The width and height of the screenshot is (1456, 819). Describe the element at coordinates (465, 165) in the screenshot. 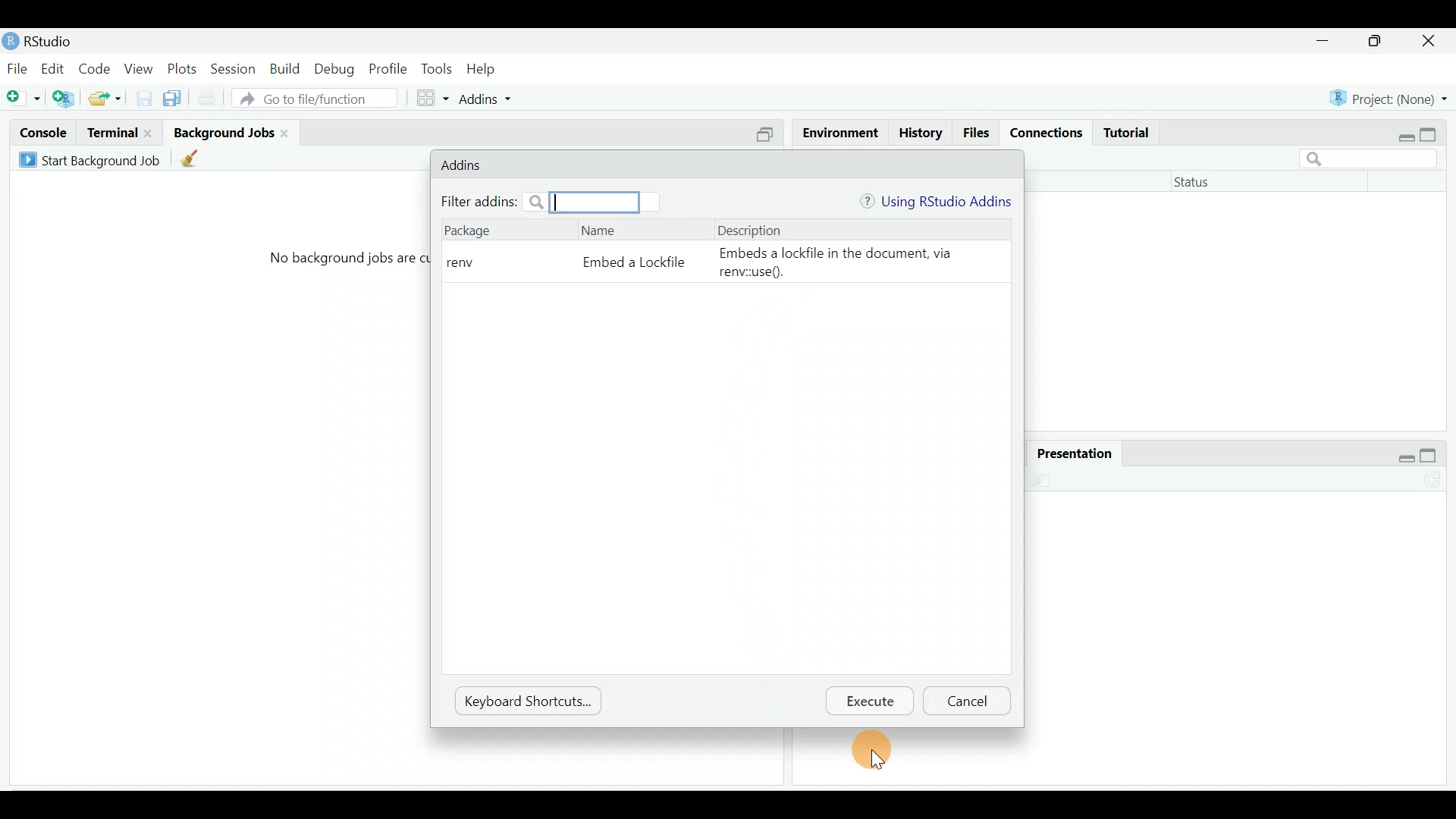

I see `Addins` at that location.